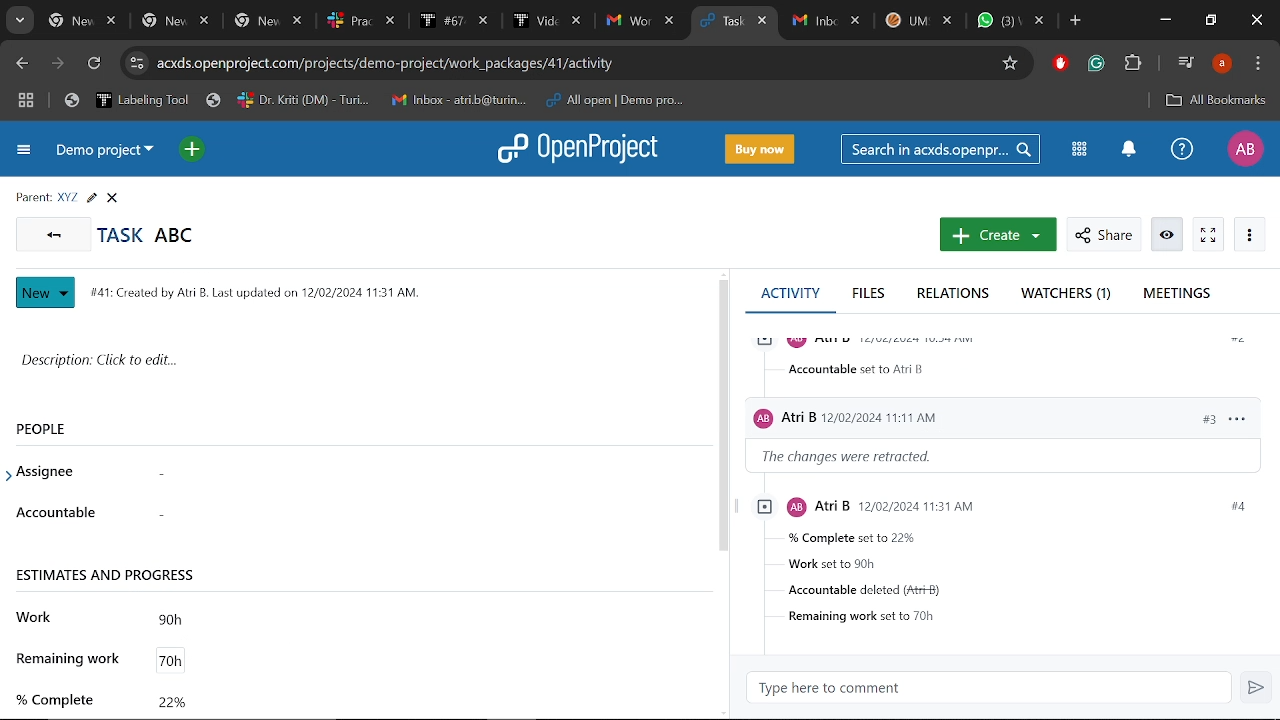 Image resolution: width=1280 pixels, height=720 pixels. What do you see at coordinates (51, 472) in the screenshot?
I see `assignee` at bounding box center [51, 472].